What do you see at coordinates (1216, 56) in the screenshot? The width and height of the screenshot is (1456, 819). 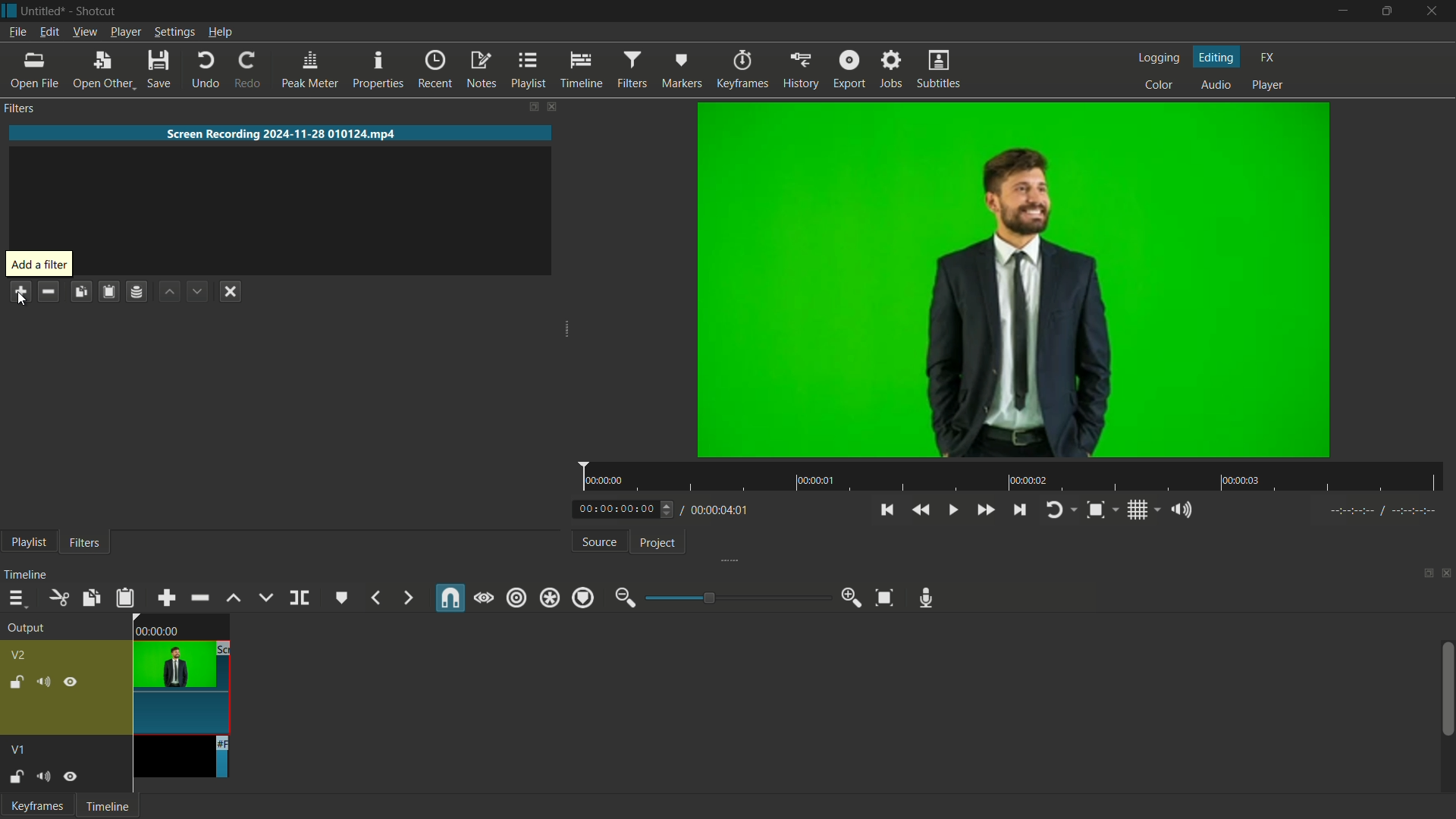 I see `editing` at bounding box center [1216, 56].